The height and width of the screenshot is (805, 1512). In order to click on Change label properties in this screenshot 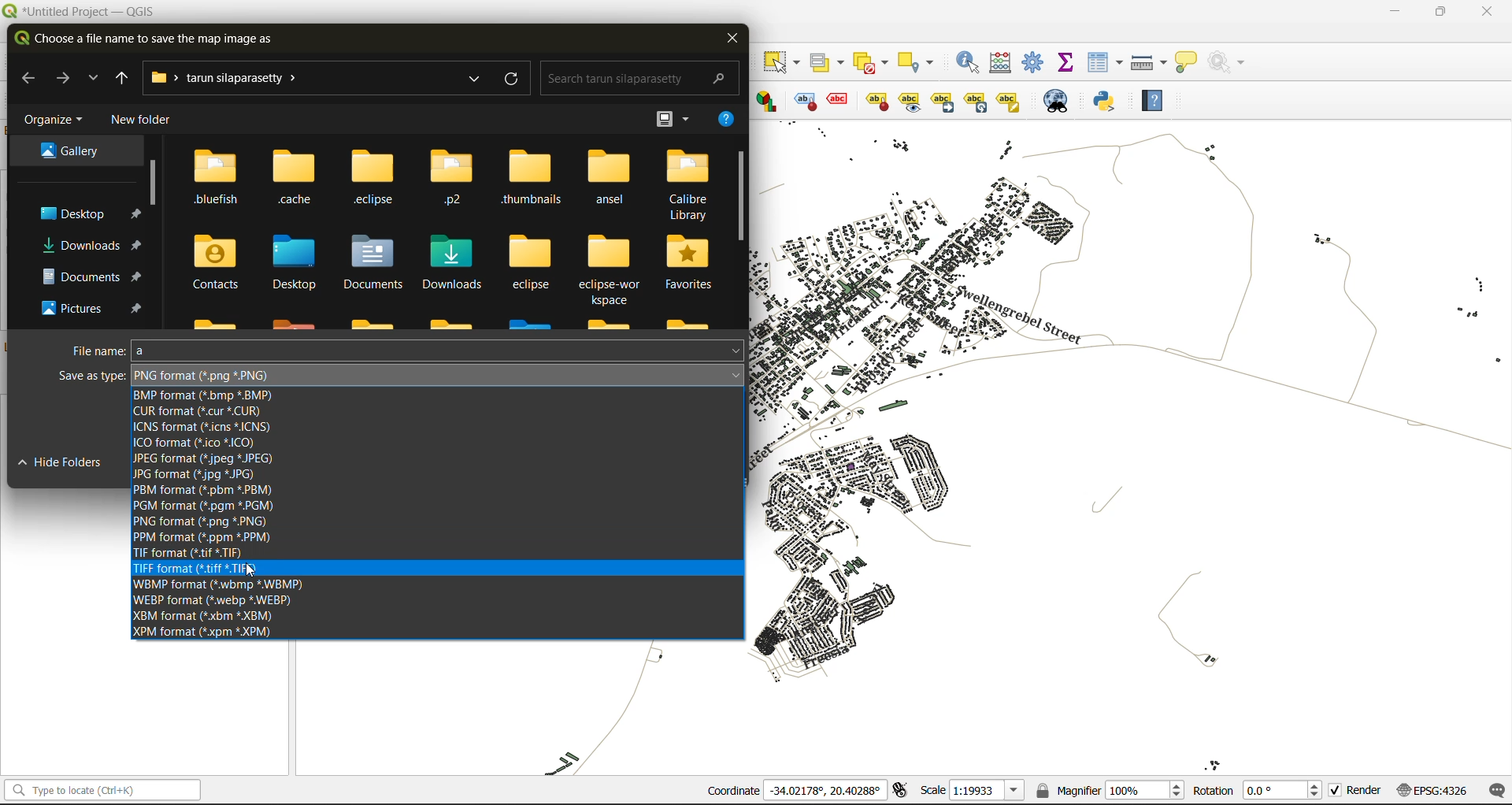, I will do `click(1009, 100)`.